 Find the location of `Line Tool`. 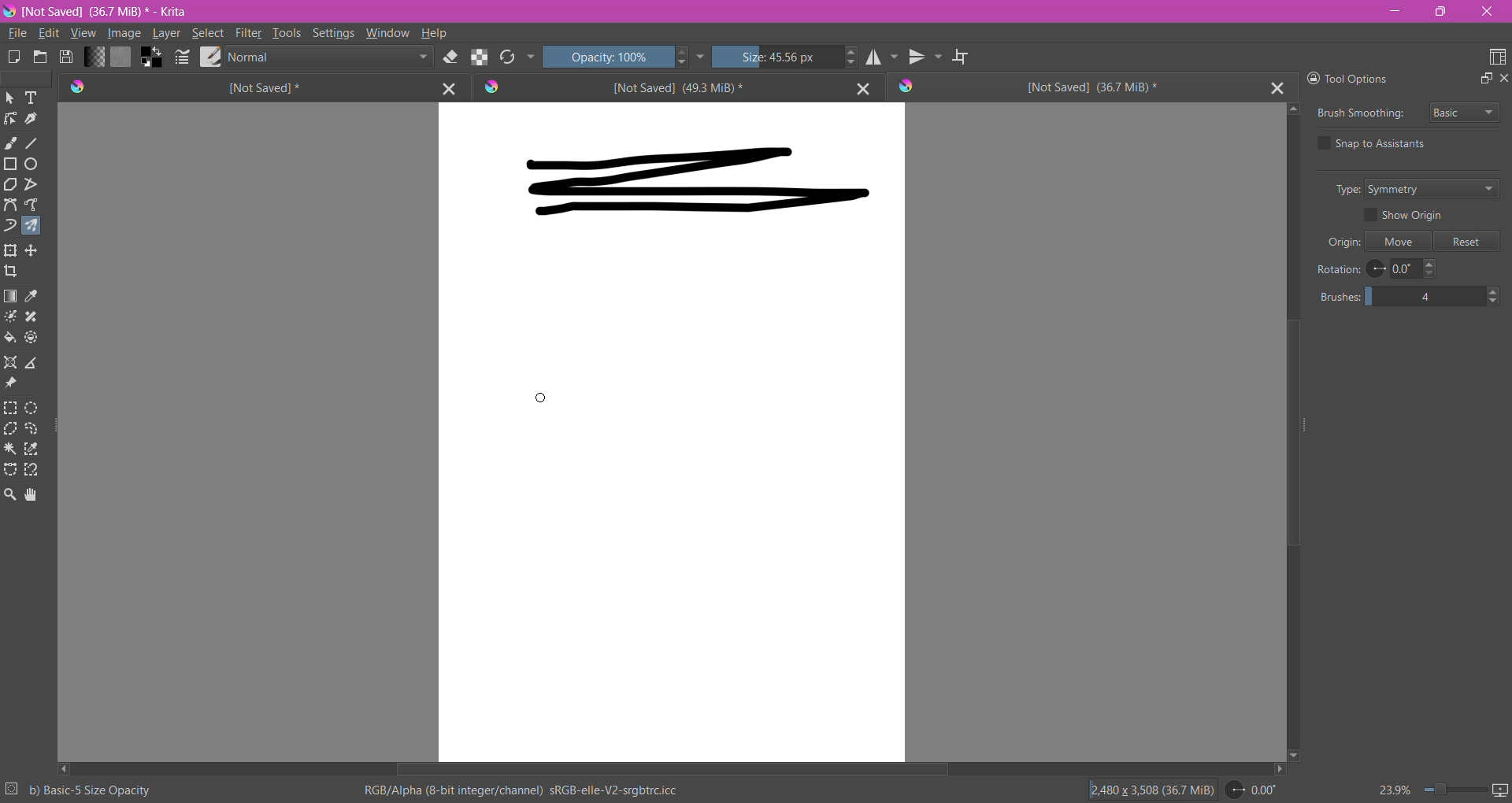

Line Tool is located at coordinates (33, 143).